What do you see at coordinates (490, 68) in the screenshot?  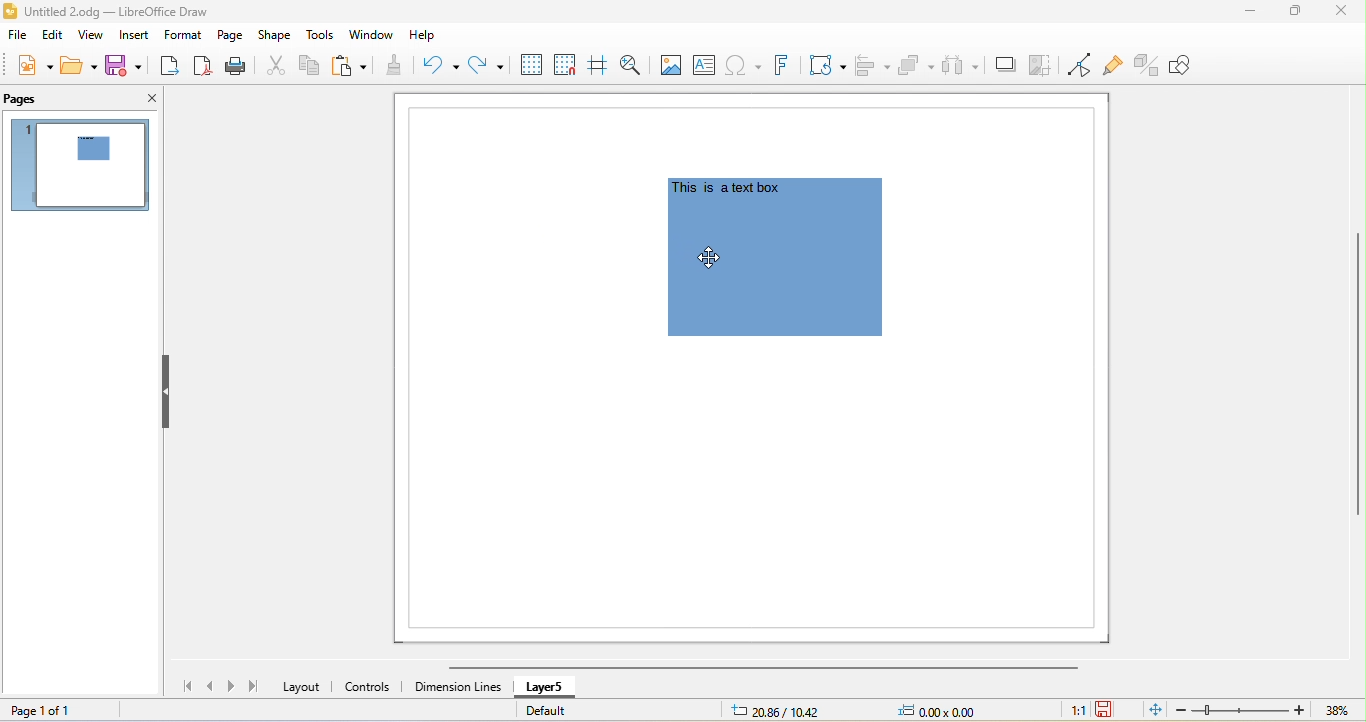 I see `redo` at bounding box center [490, 68].